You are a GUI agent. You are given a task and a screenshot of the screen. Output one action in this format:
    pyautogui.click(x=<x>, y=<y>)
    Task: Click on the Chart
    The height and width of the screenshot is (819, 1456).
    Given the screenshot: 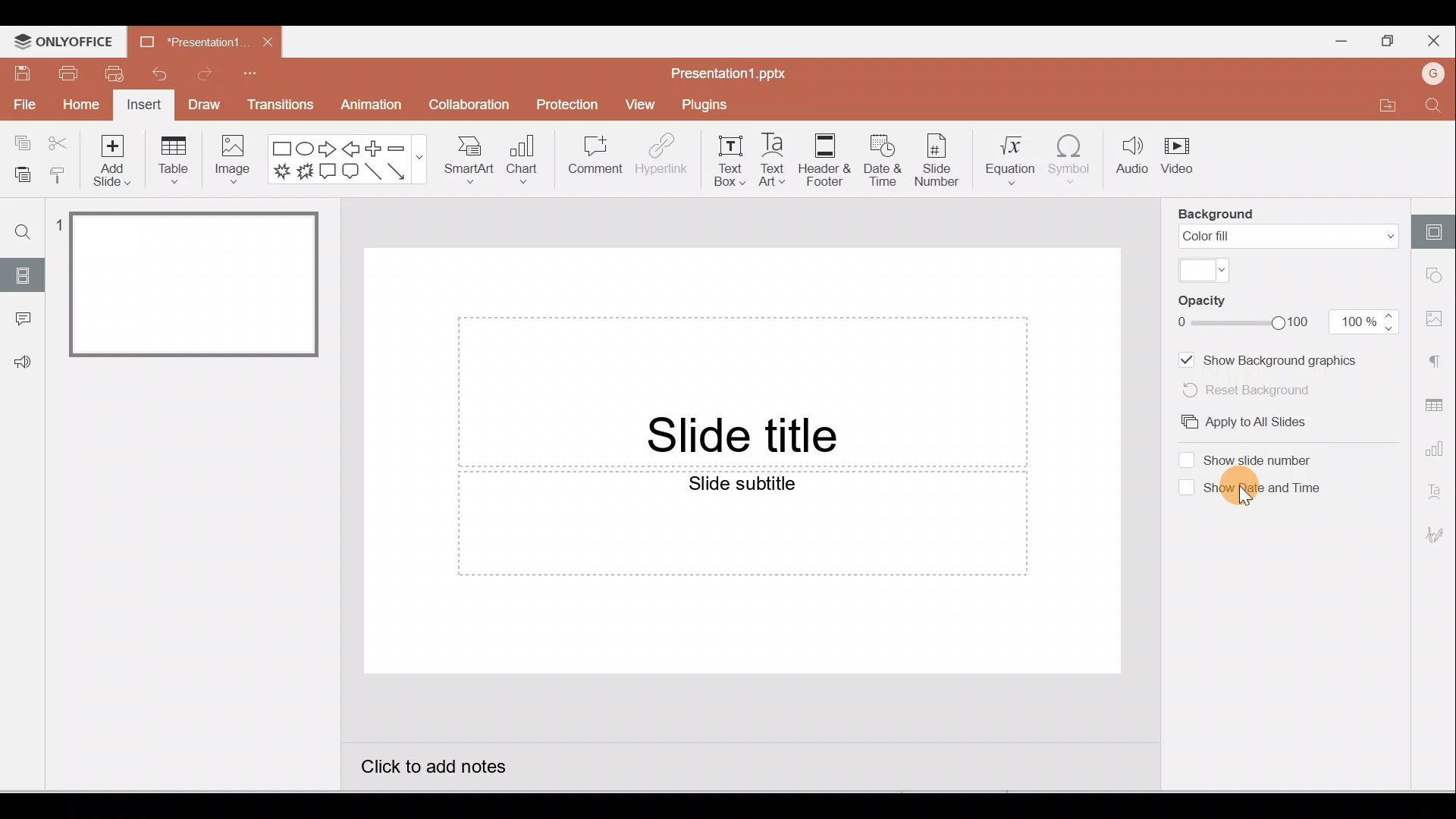 What is the action you would take?
    pyautogui.click(x=523, y=161)
    